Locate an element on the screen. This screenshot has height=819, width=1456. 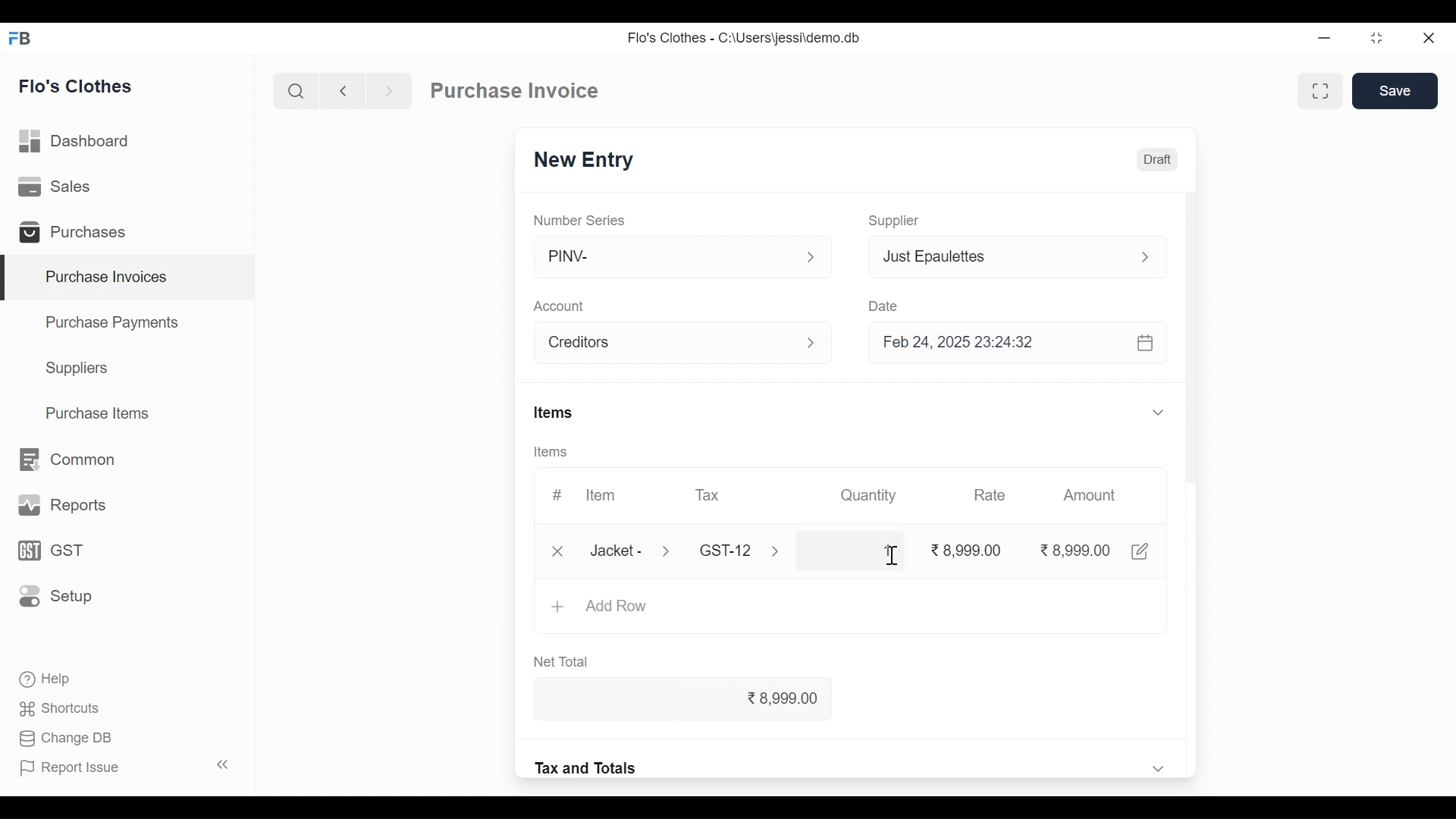
Flo's Clothes is located at coordinates (78, 86).